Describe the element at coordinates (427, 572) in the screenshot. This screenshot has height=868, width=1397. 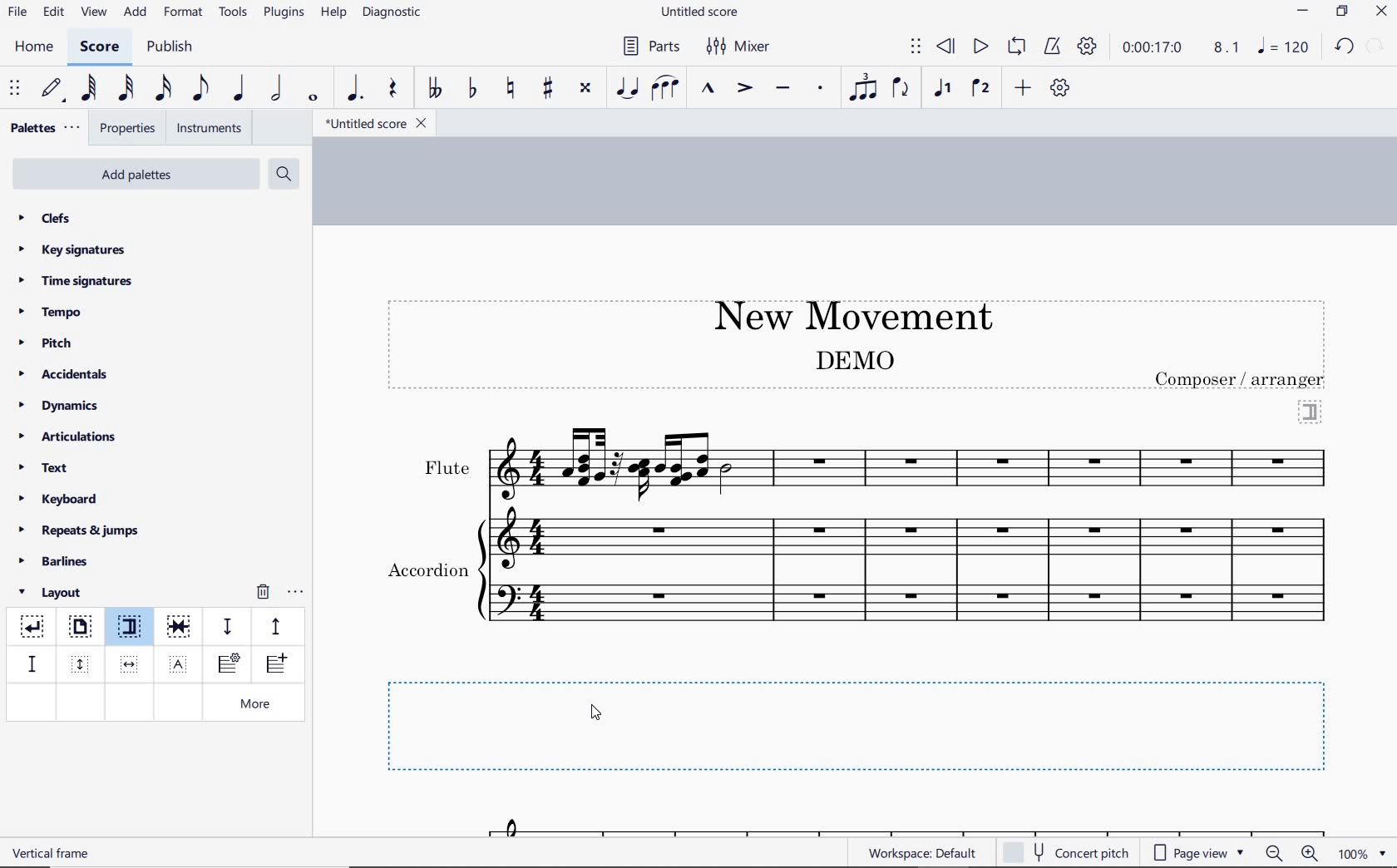
I see `text` at that location.